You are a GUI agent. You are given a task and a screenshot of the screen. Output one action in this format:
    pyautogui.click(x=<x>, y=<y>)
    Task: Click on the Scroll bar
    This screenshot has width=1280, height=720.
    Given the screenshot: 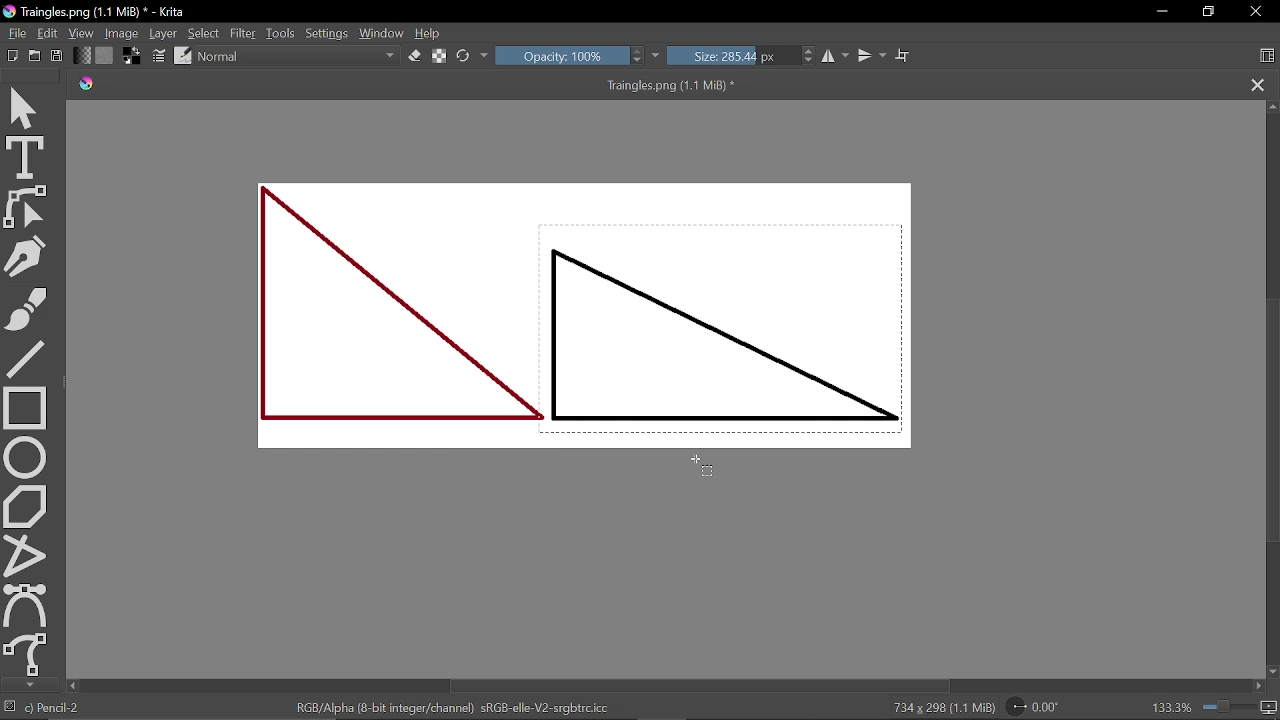 What is the action you would take?
    pyautogui.click(x=661, y=686)
    